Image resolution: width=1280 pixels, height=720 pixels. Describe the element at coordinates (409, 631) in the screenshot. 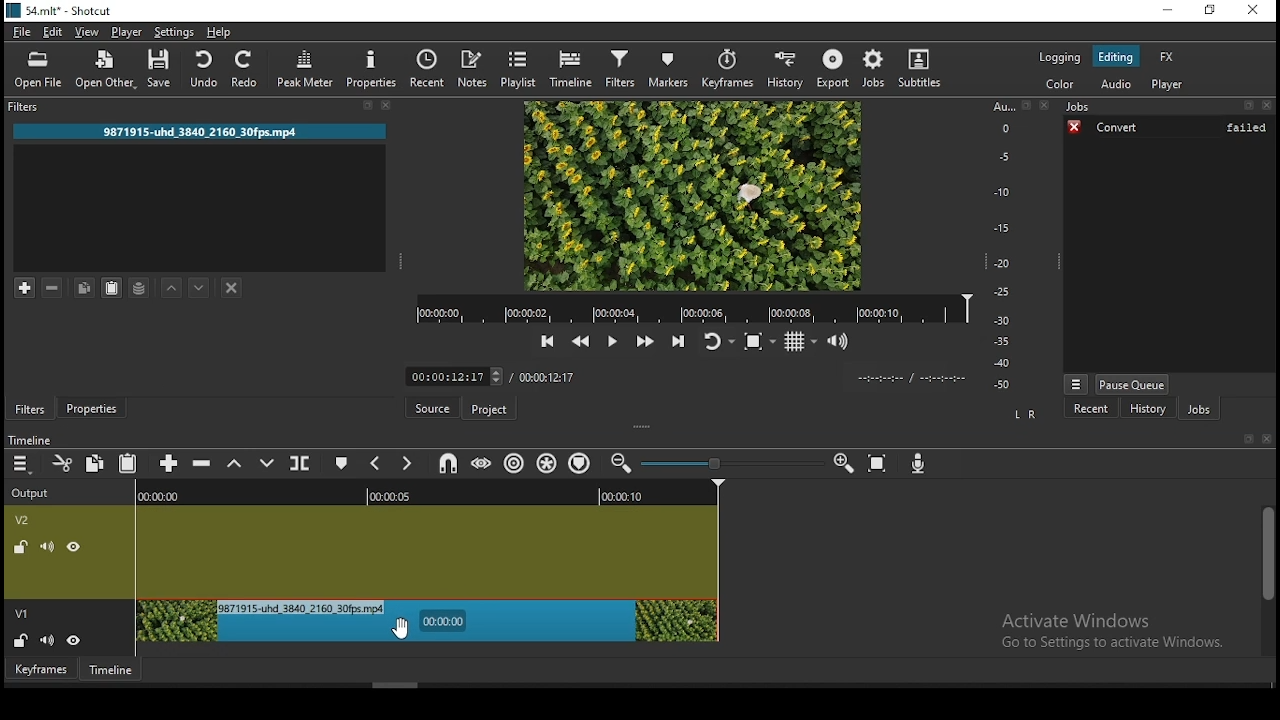

I see `cursor` at that location.